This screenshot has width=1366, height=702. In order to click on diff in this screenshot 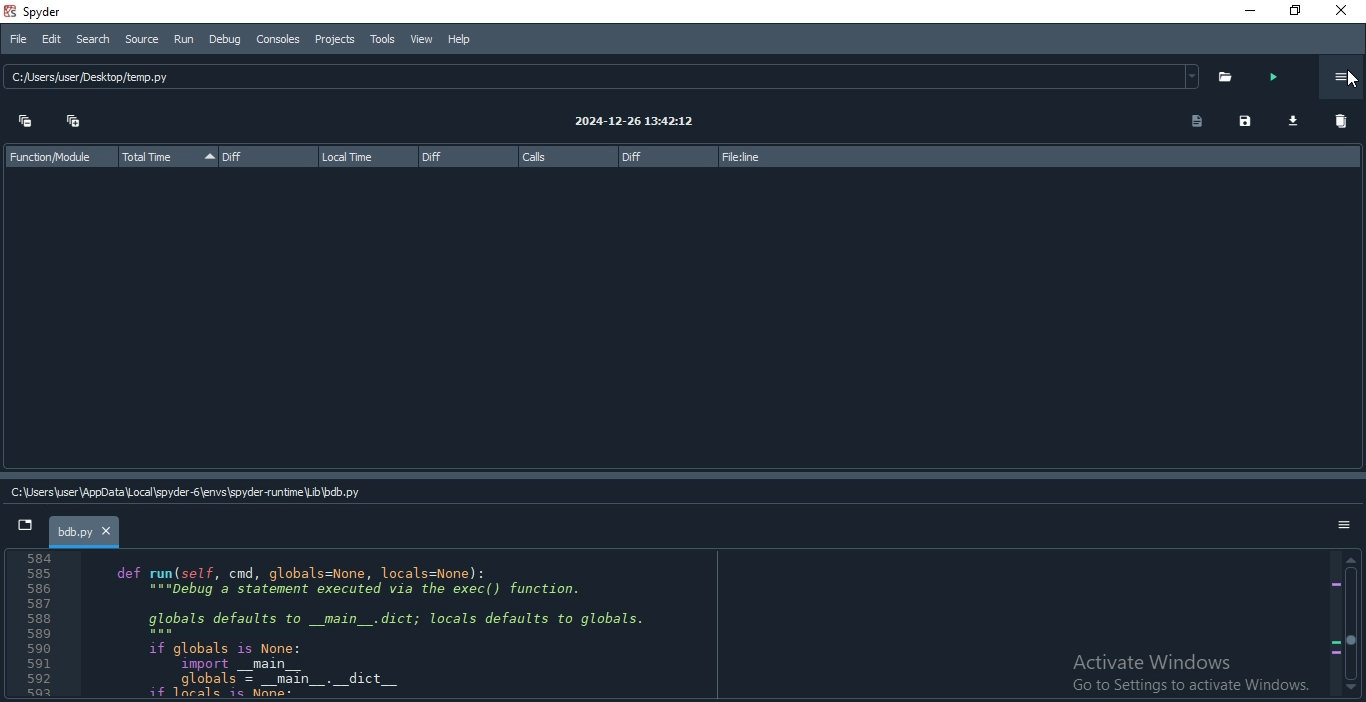, I will do `click(669, 156)`.